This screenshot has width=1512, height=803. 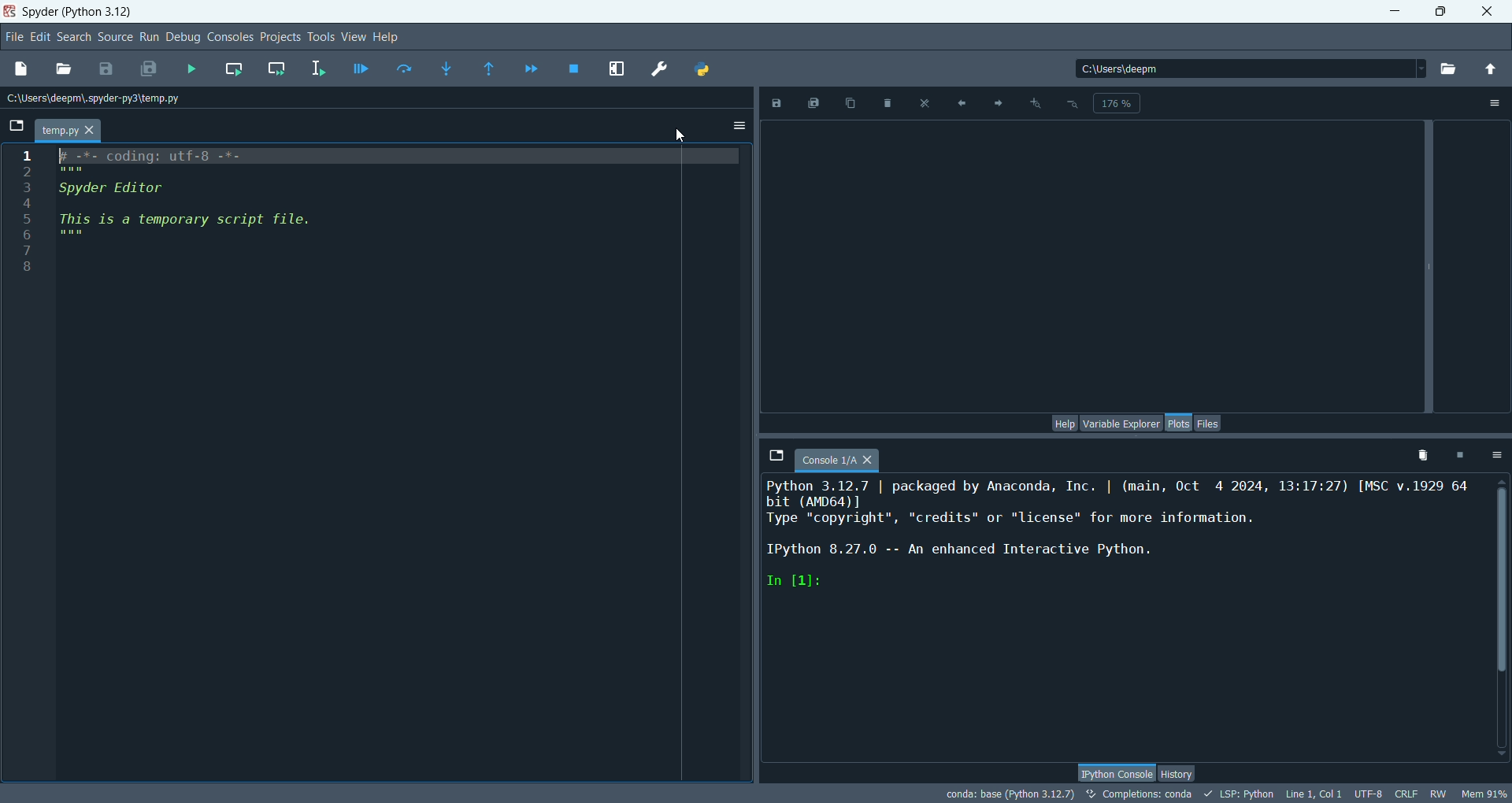 What do you see at coordinates (1449, 71) in the screenshot?
I see `browse working directory` at bounding box center [1449, 71].